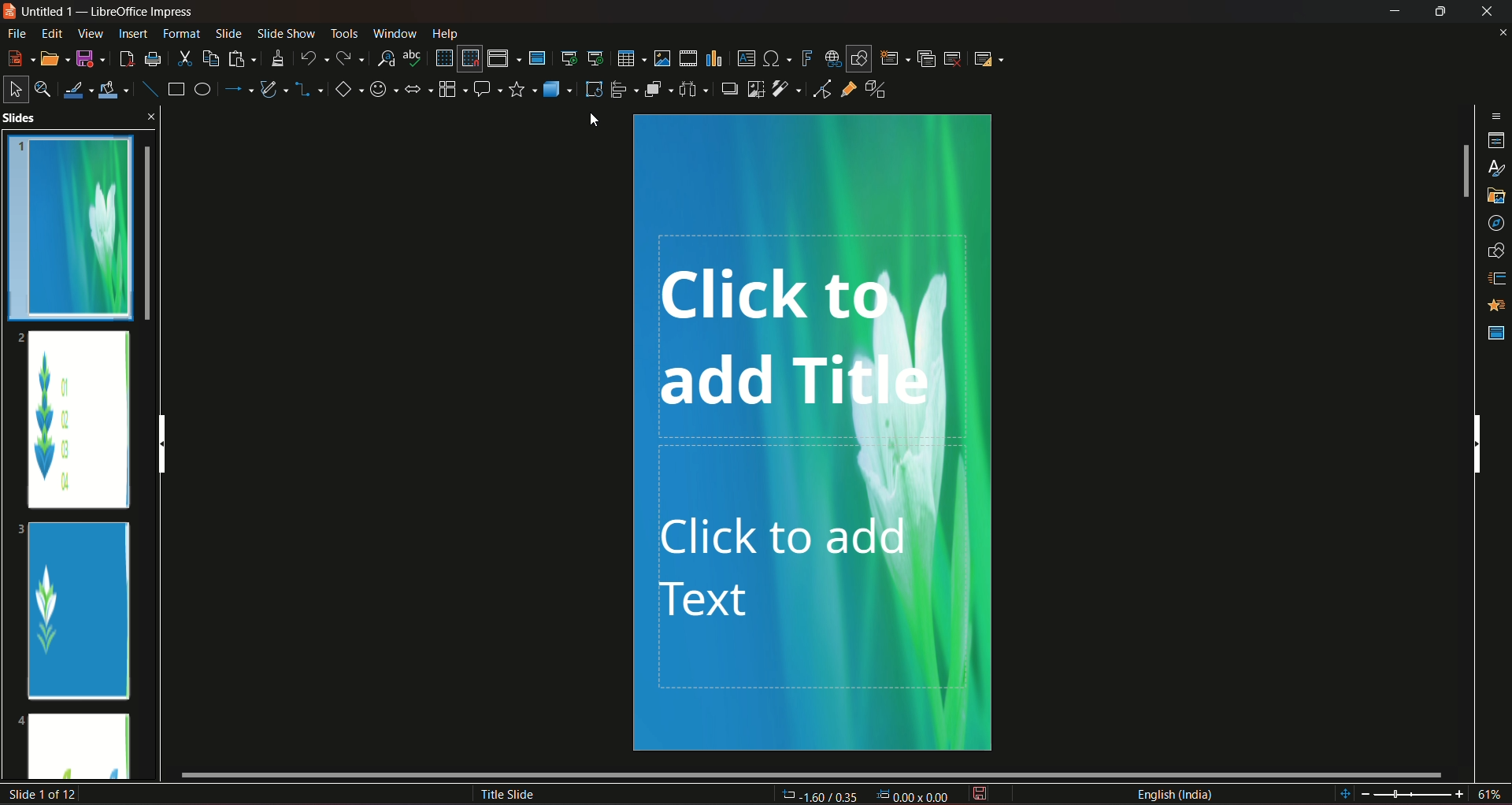  I want to click on stars and banners, so click(523, 88).